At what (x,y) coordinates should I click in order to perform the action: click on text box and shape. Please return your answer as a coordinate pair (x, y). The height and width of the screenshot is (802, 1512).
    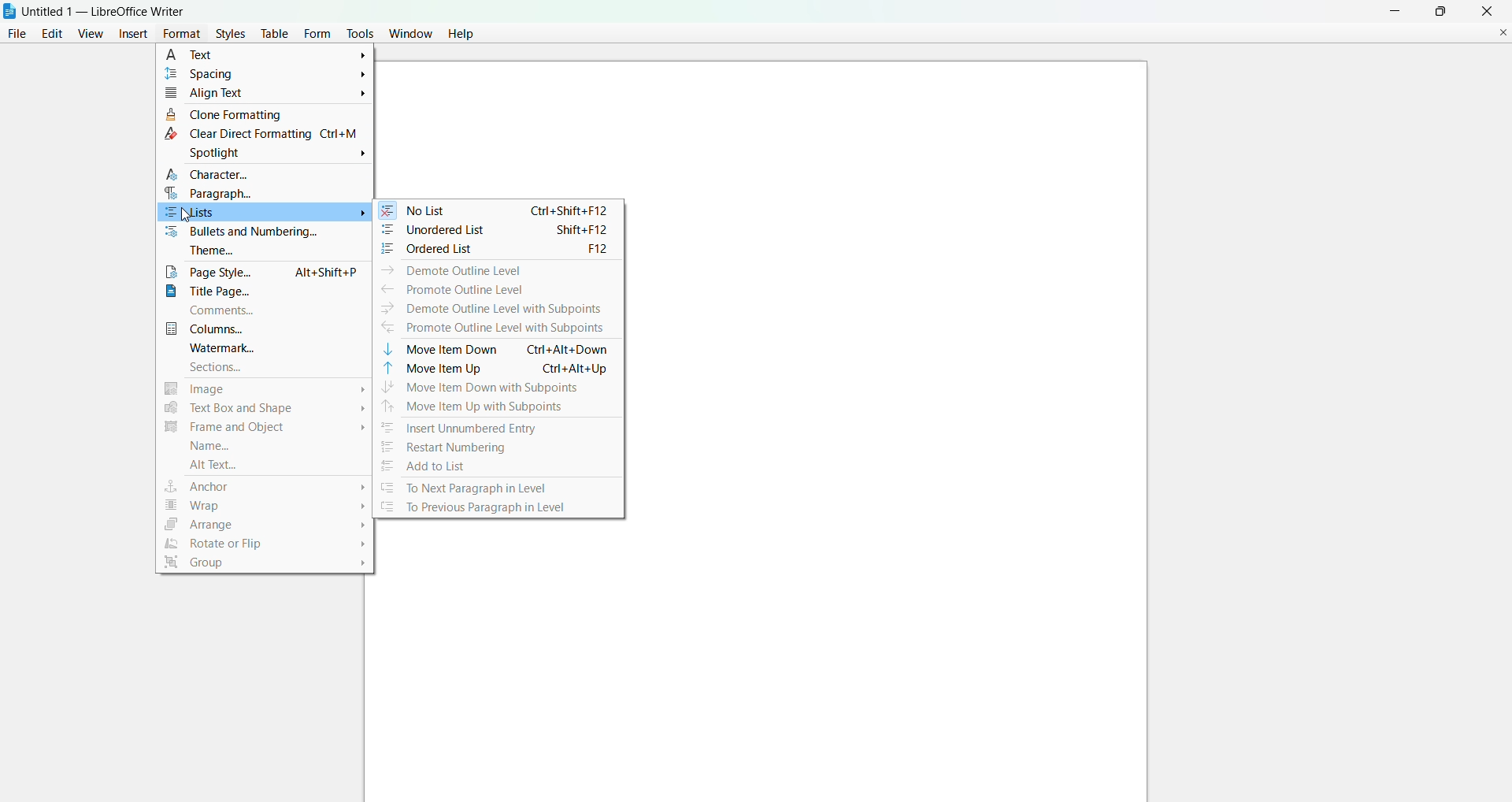
    Looking at the image, I should click on (261, 410).